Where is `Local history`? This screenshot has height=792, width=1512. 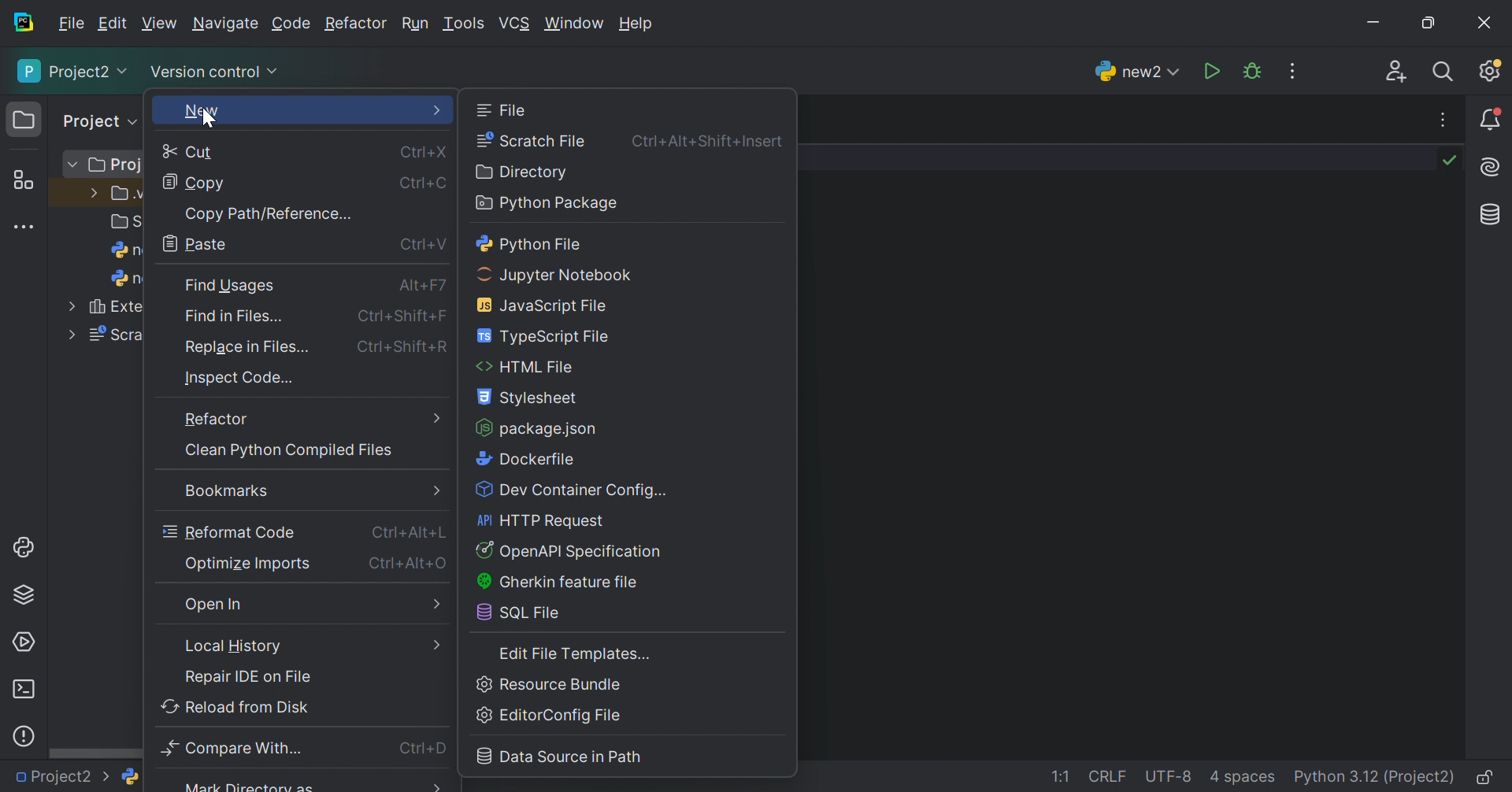
Local history is located at coordinates (235, 644).